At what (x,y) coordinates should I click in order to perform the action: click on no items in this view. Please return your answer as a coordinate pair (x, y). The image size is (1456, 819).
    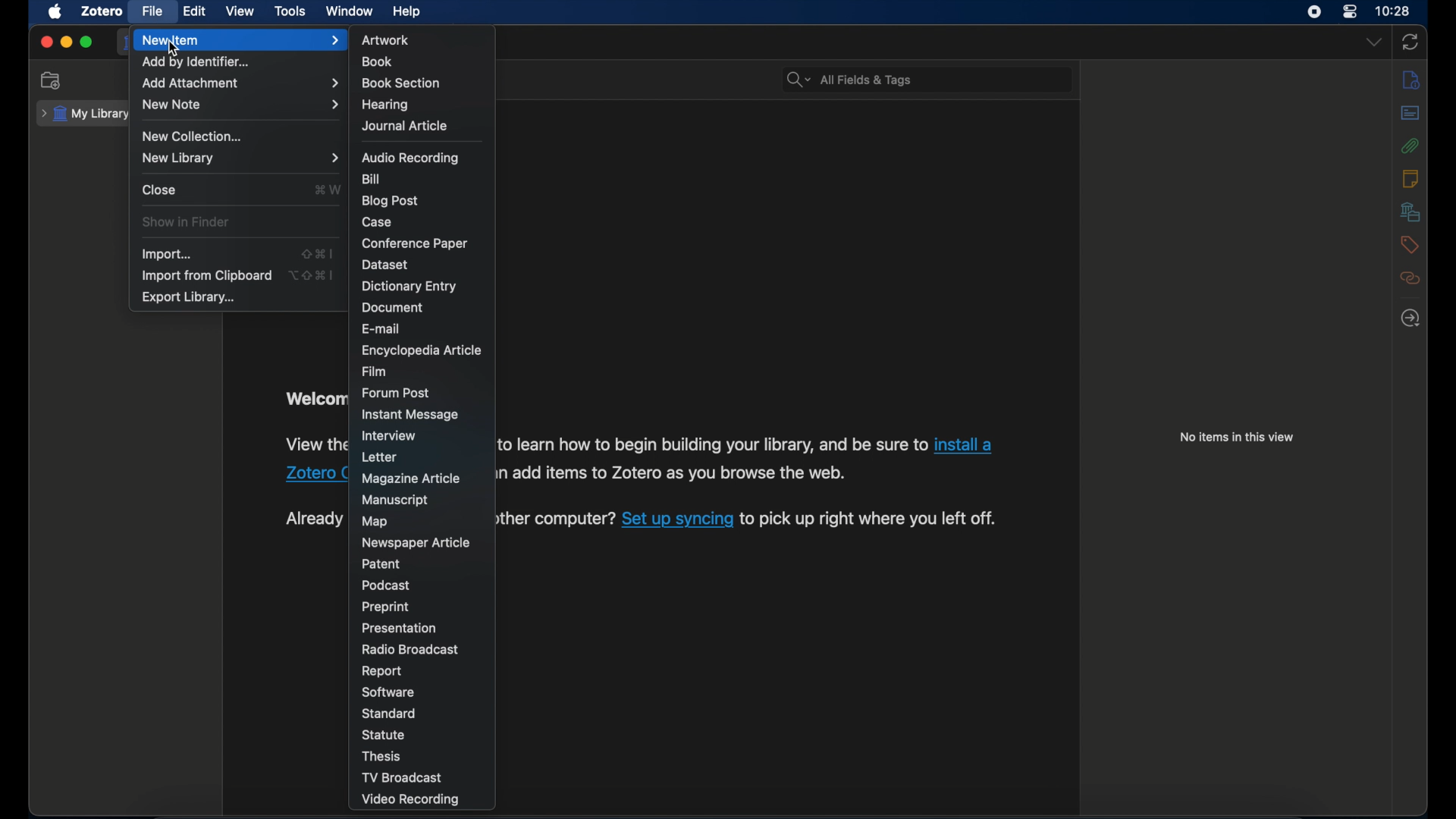
    Looking at the image, I should click on (1237, 437).